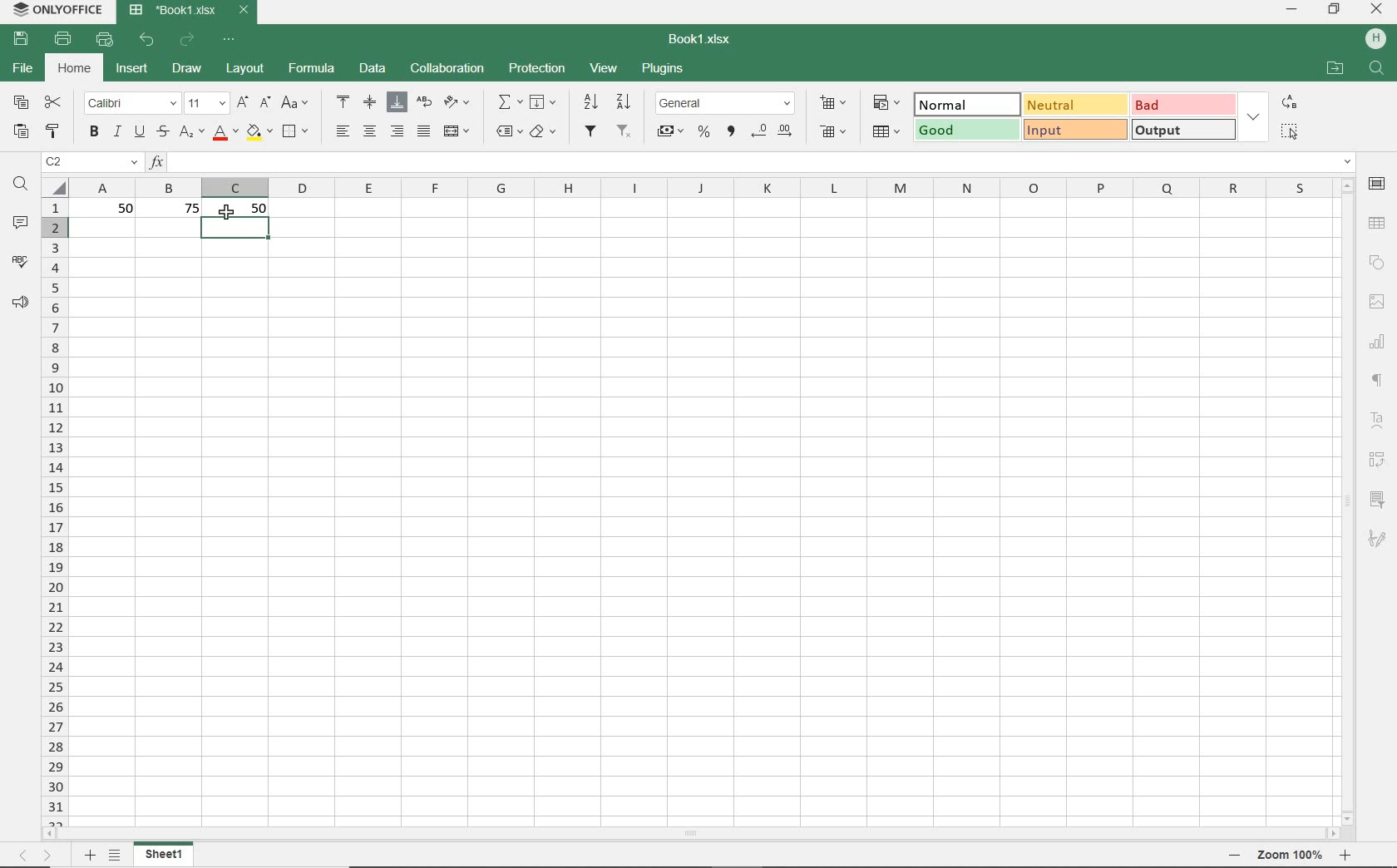 The height and width of the screenshot is (868, 1397). What do you see at coordinates (422, 131) in the screenshot?
I see `justified` at bounding box center [422, 131].